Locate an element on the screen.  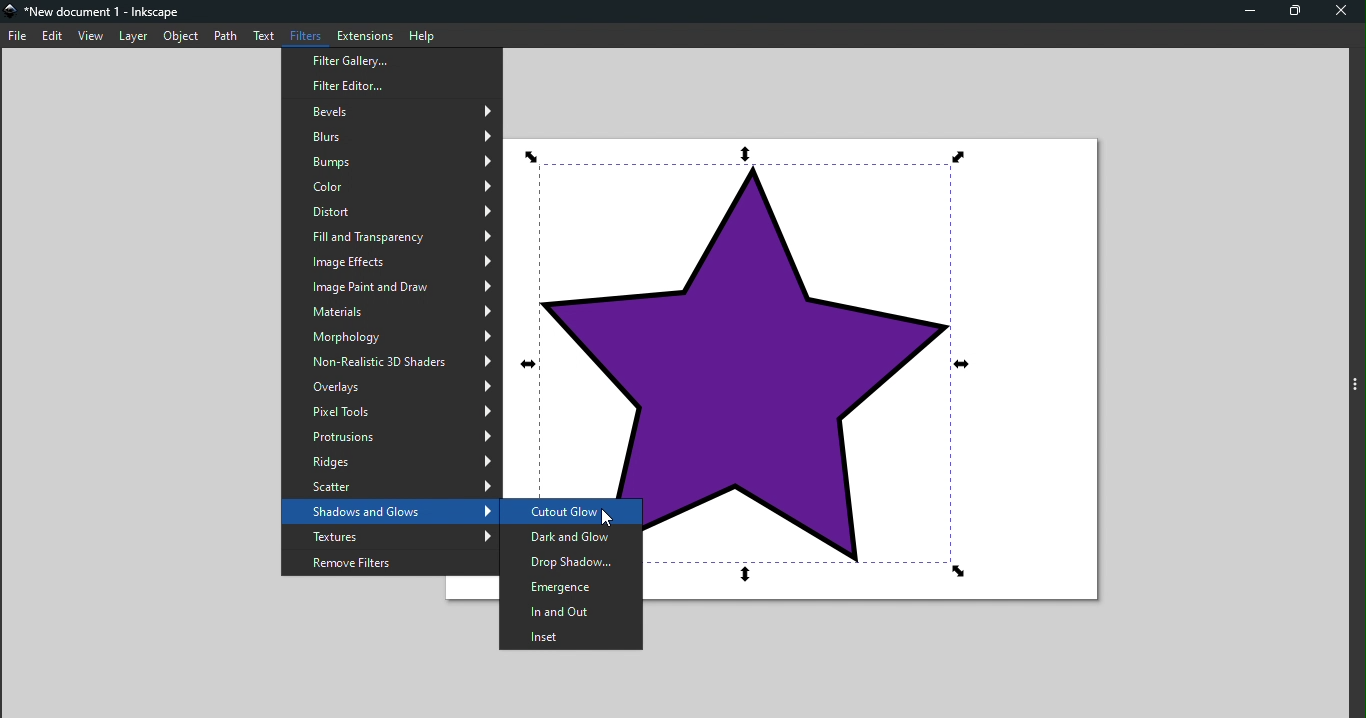
view is located at coordinates (91, 36).